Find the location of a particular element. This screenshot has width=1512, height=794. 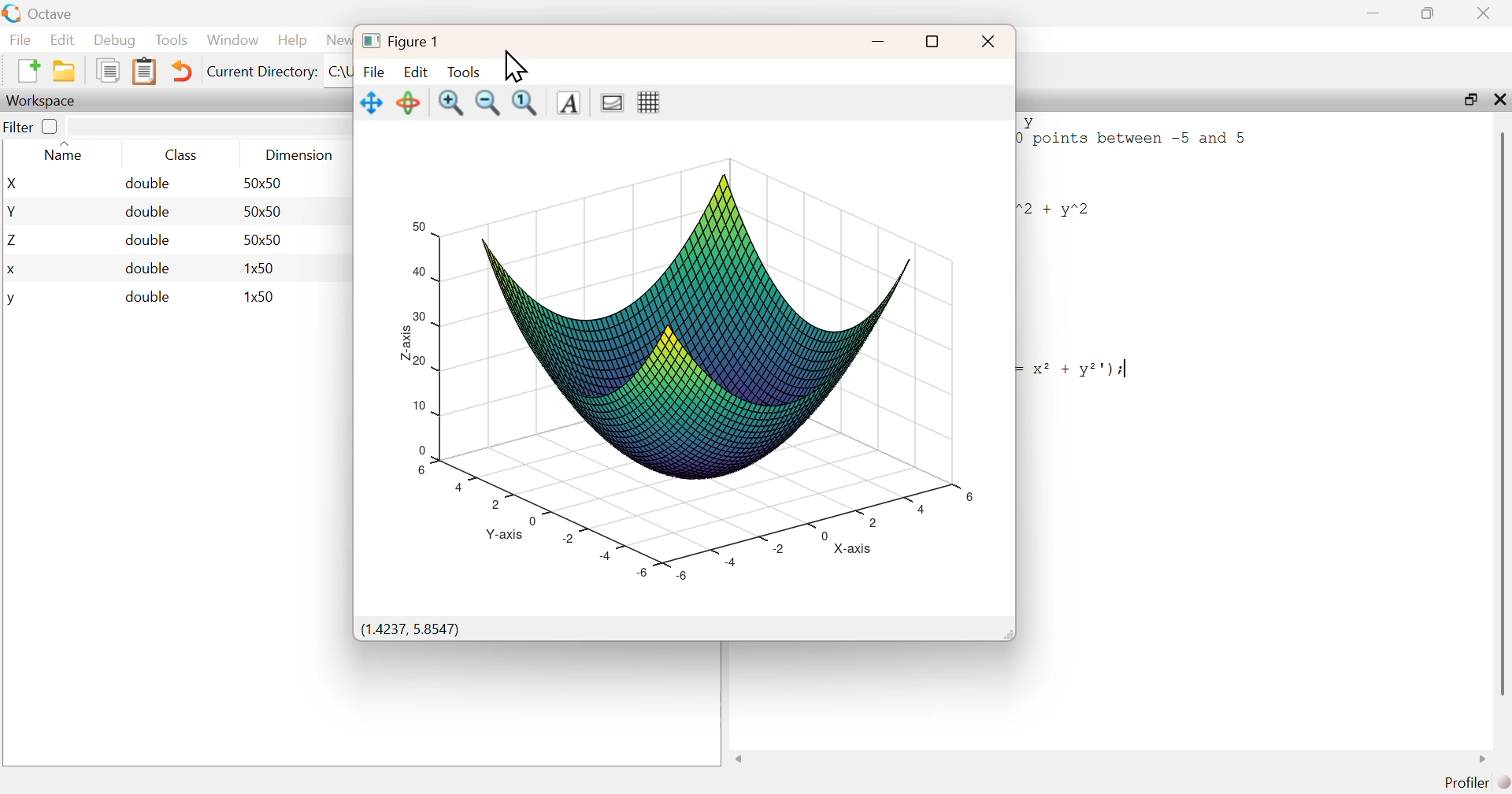

Name is located at coordinates (68, 152).